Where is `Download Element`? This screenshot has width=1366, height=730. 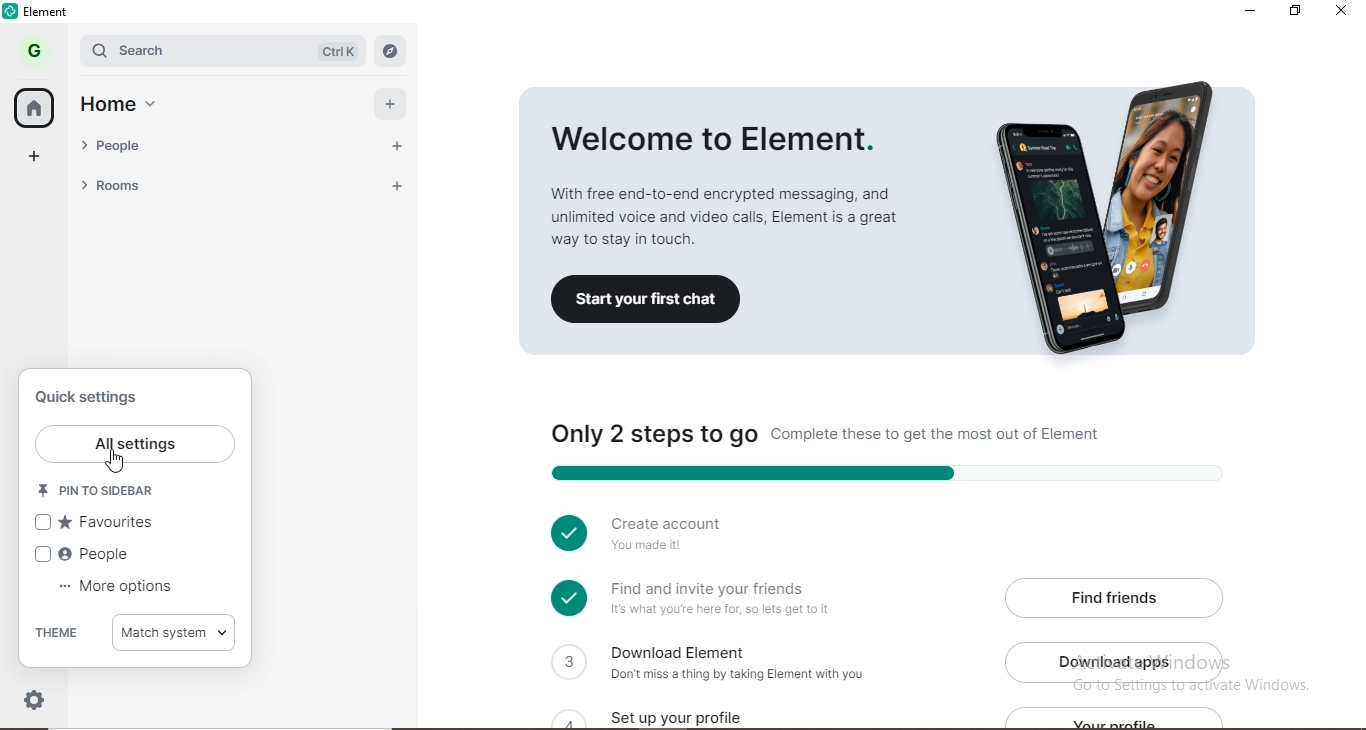 Download Element is located at coordinates (746, 661).